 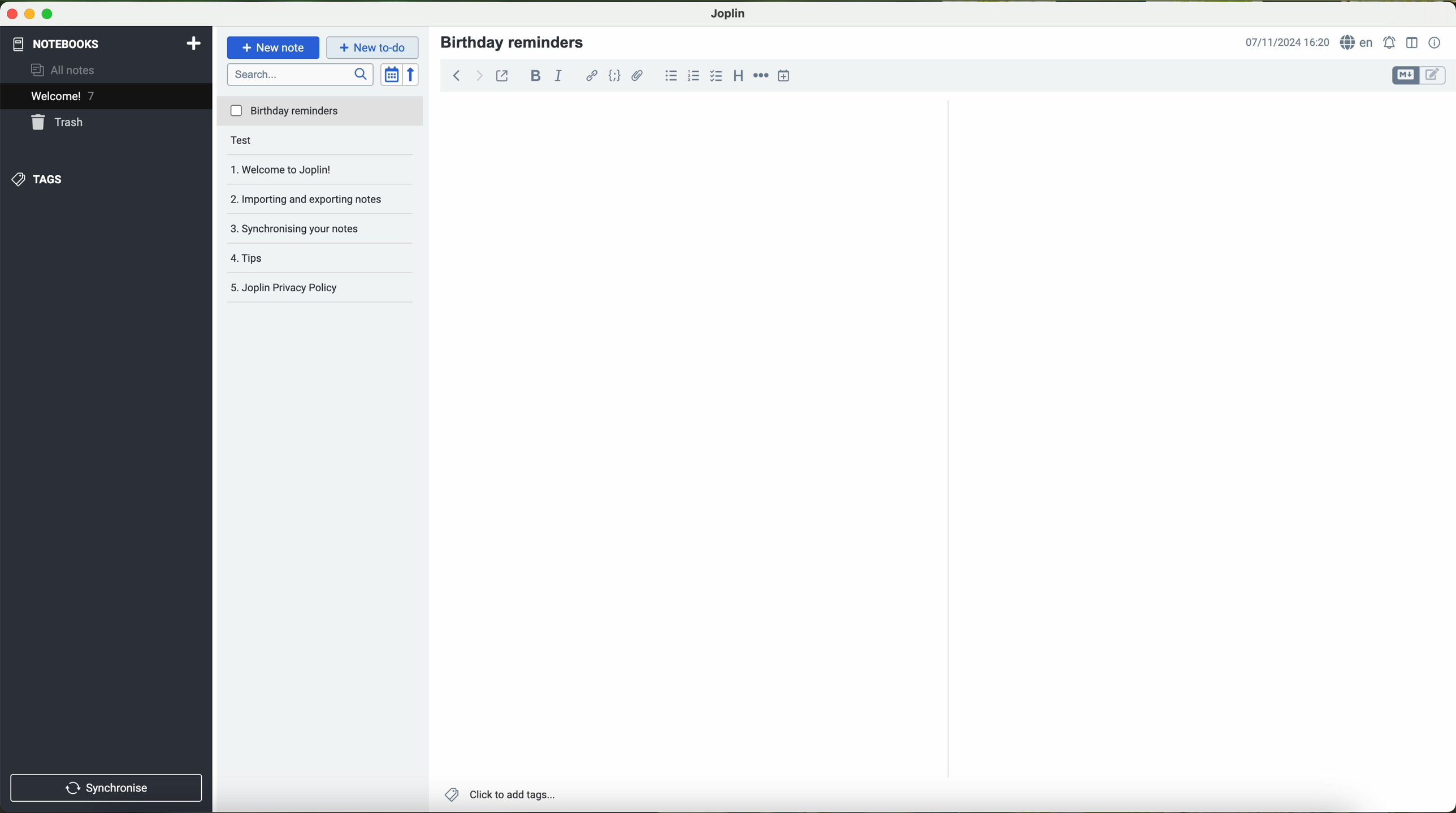 I want to click on note properties, so click(x=1436, y=43).